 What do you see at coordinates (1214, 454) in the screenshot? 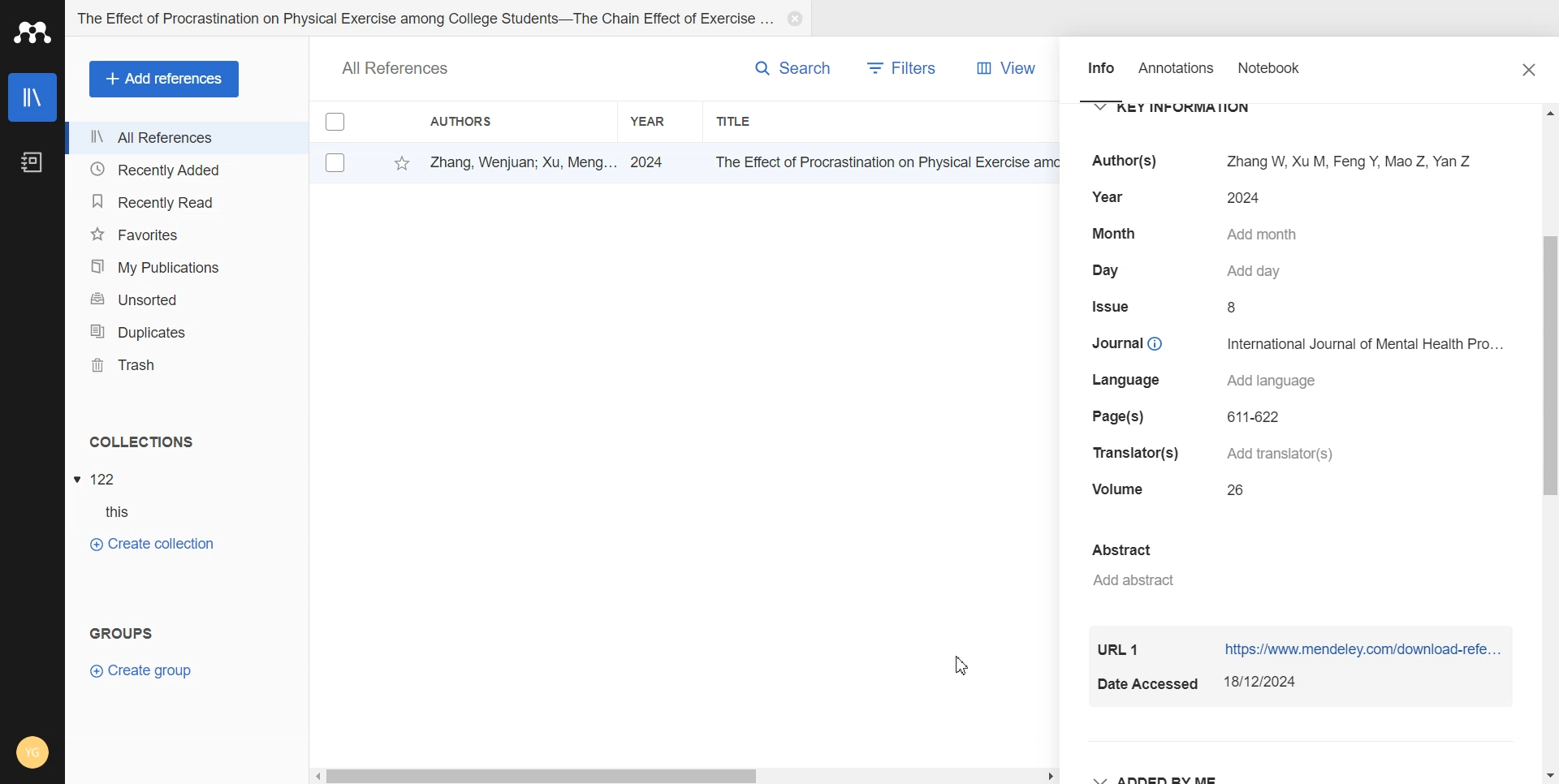
I see `Translator(s) Add translator(s)` at bounding box center [1214, 454].